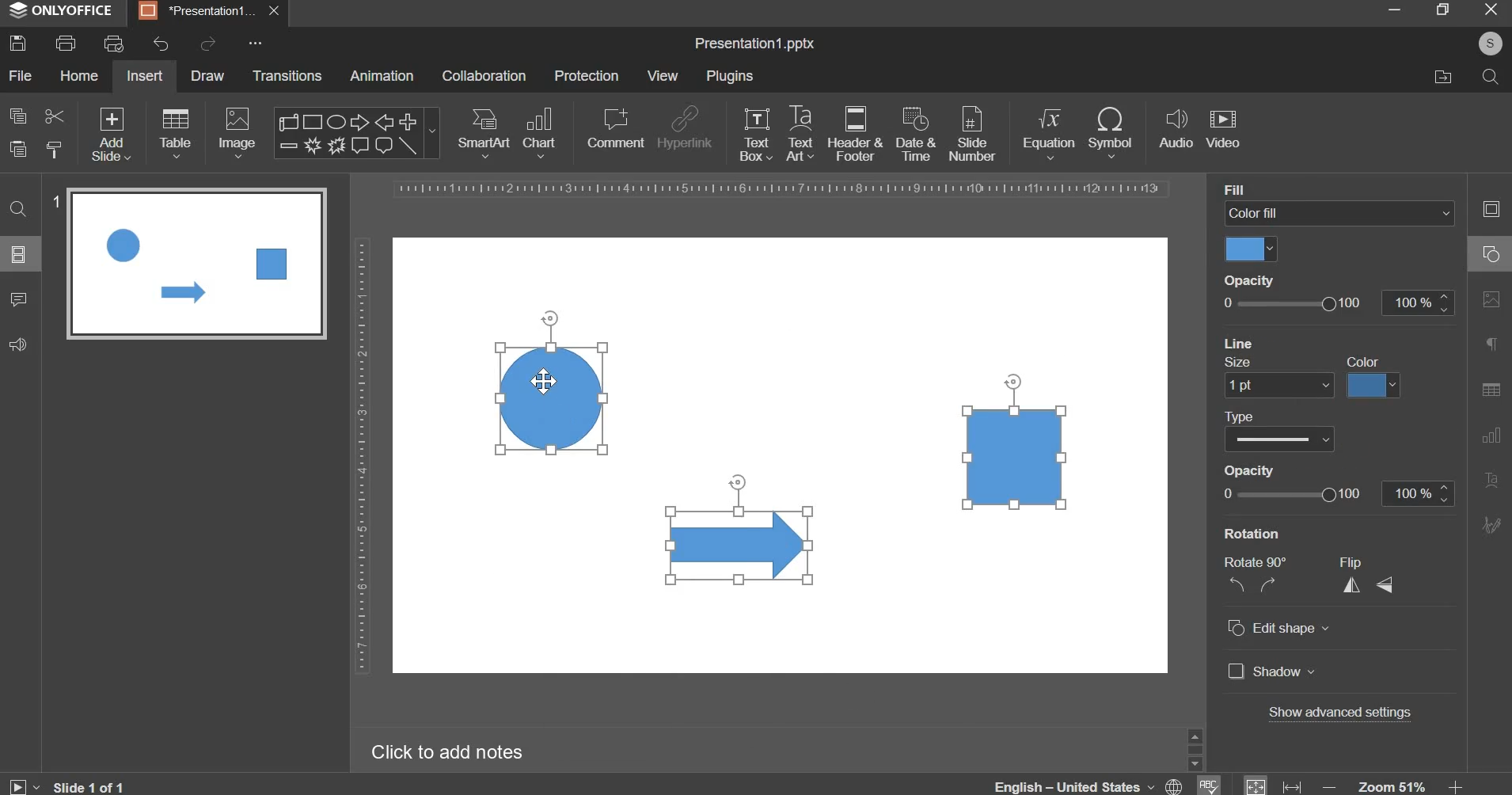 This screenshot has height=795, width=1512. Describe the element at coordinates (1236, 360) in the screenshot. I see `size` at that location.